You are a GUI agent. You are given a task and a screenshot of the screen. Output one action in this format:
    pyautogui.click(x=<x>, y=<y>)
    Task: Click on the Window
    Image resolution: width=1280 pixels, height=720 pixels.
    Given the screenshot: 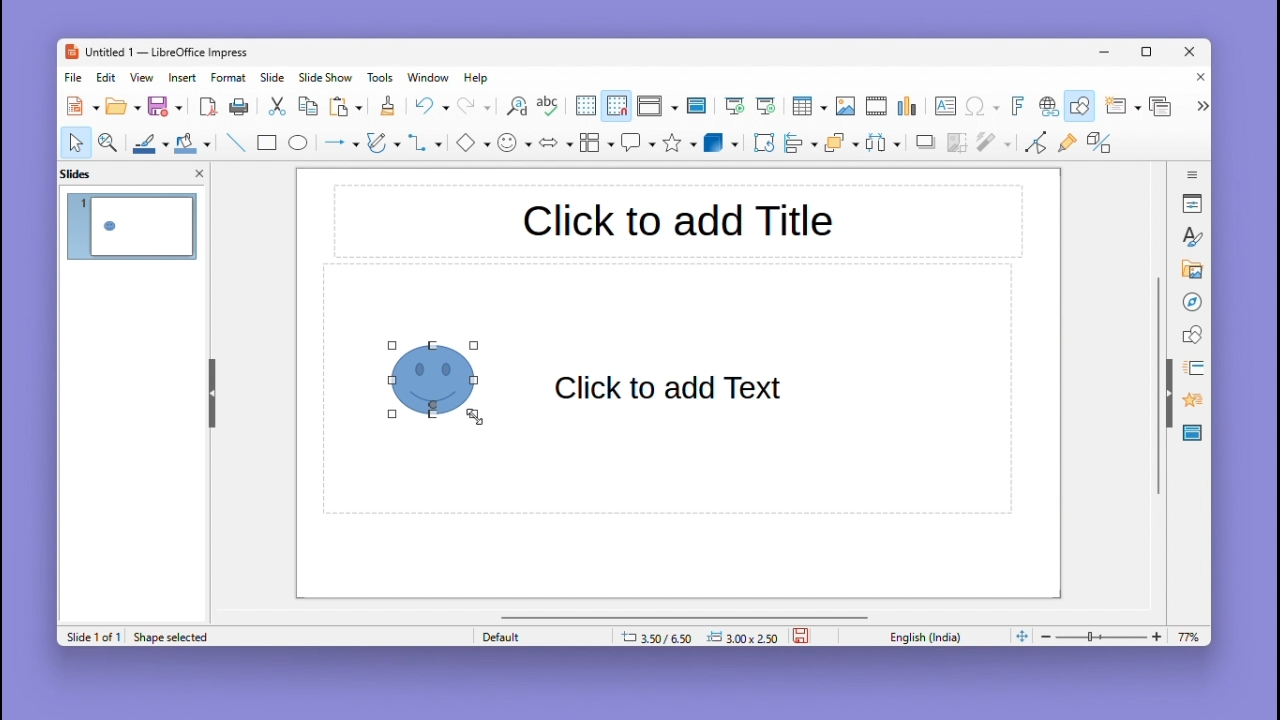 What is the action you would take?
    pyautogui.click(x=433, y=77)
    